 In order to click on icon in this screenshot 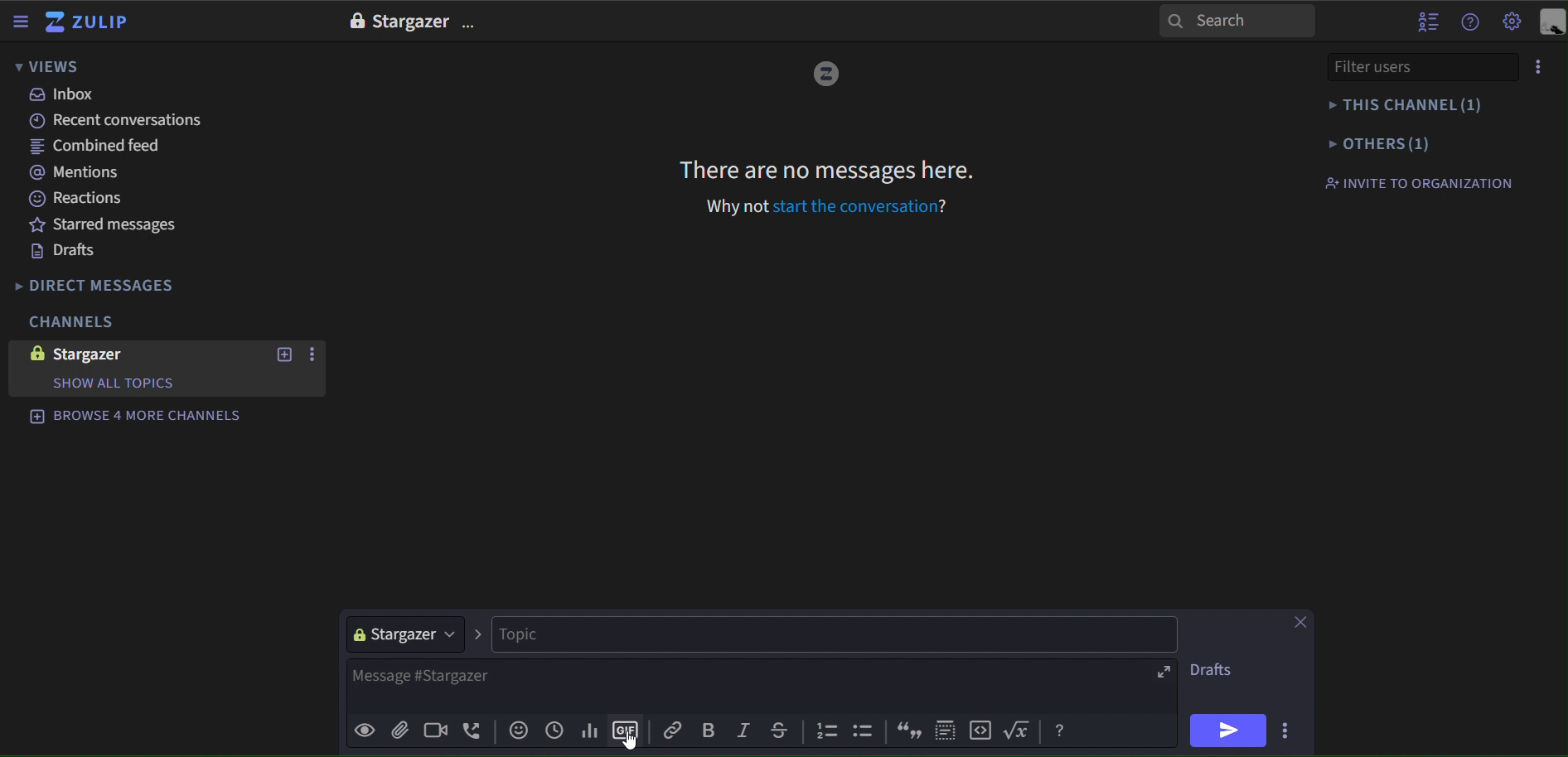, I will do `click(983, 730)`.